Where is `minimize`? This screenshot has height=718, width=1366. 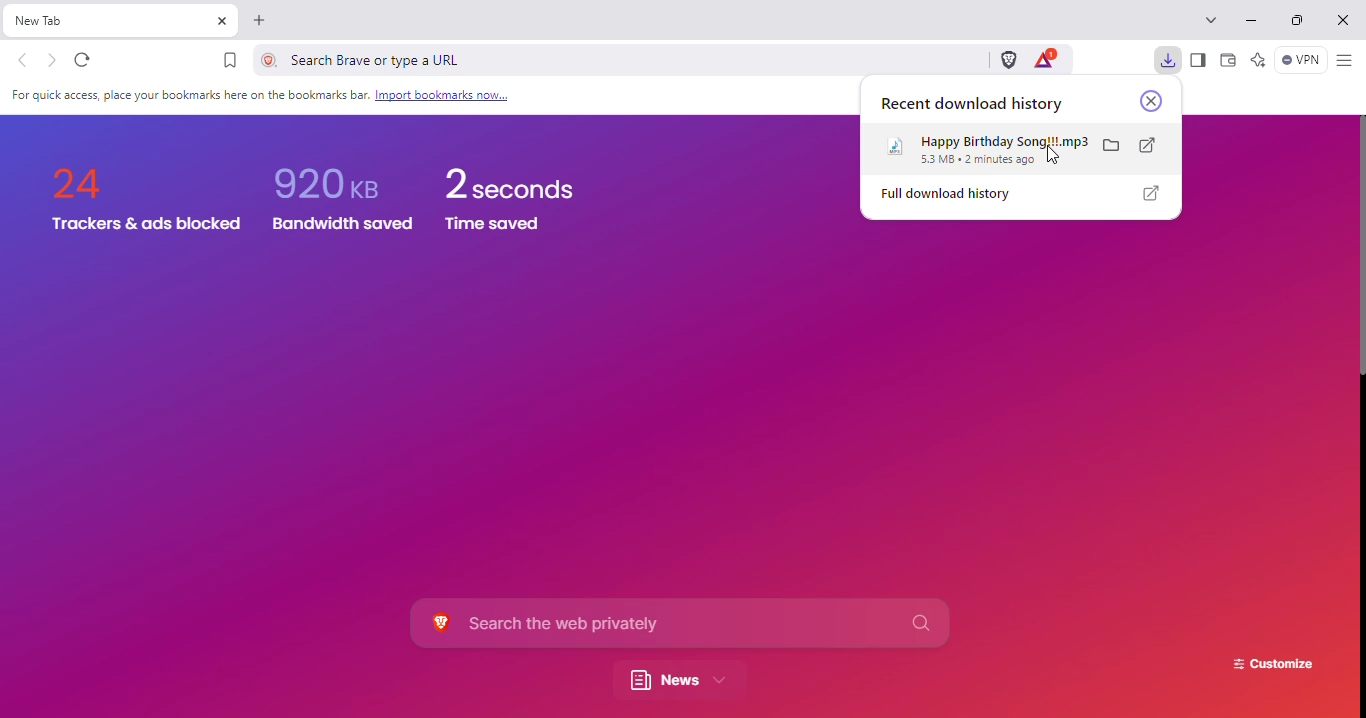 minimize is located at coordinates (1252, 21).